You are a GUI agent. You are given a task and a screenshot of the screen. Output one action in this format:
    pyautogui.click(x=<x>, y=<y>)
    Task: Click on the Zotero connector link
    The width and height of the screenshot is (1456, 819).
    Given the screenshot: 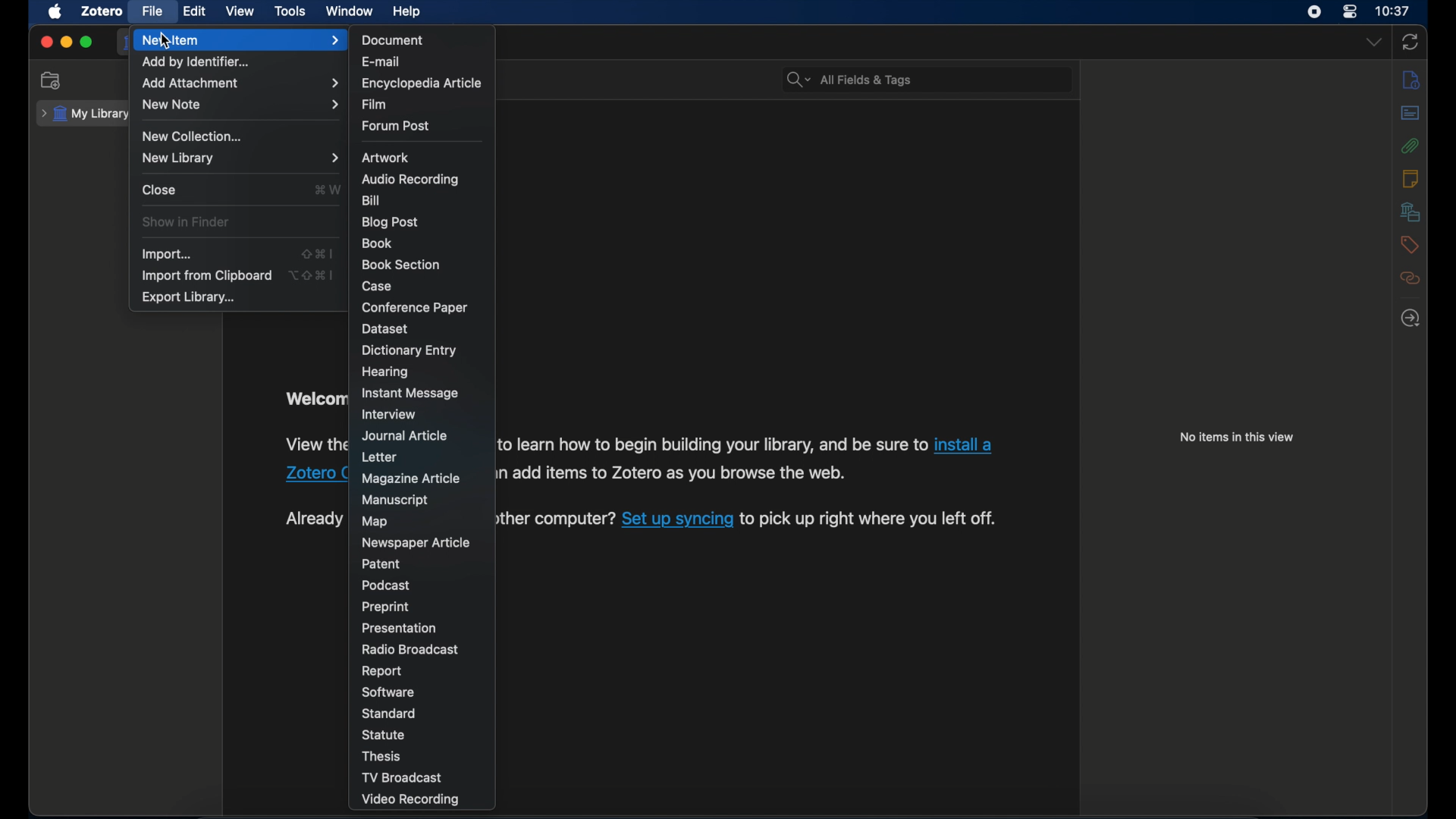 What is the action you would take?
    pyautogui.click(x=314, y=475)
    